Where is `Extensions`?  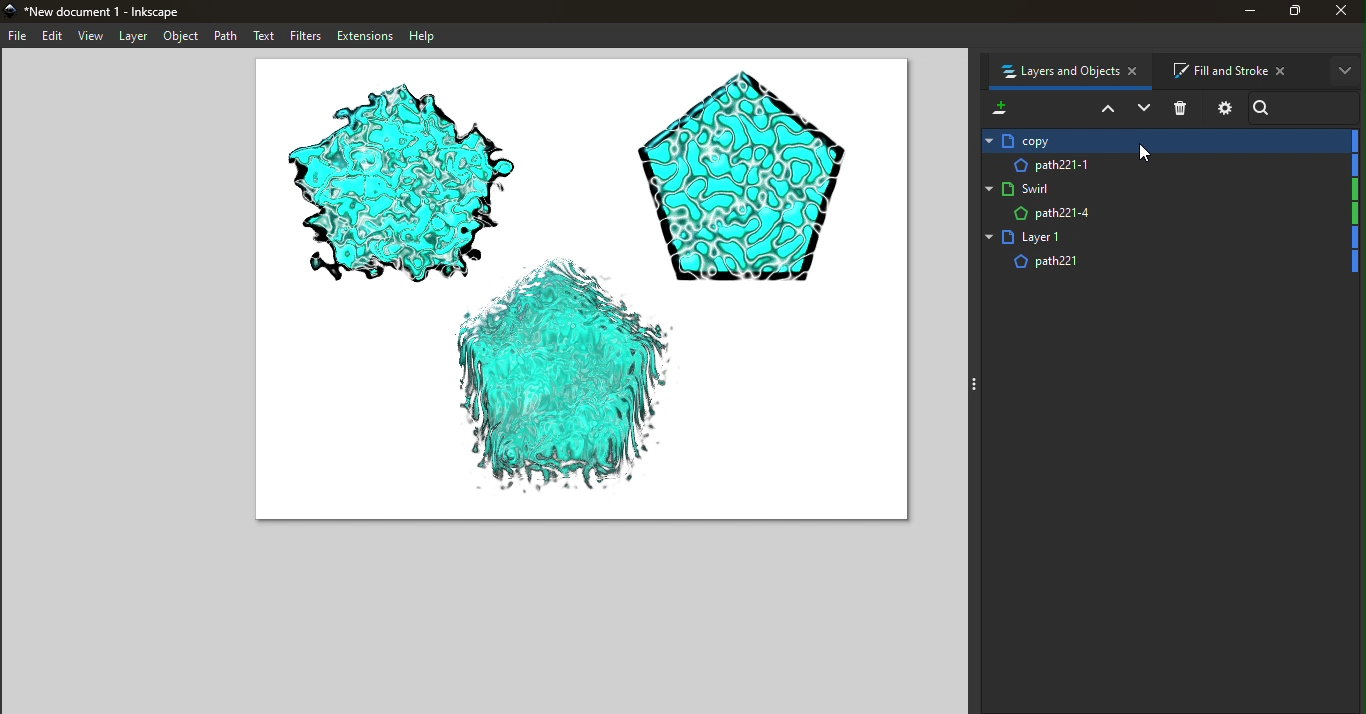
Extensions is located at coordinates (363, 35).